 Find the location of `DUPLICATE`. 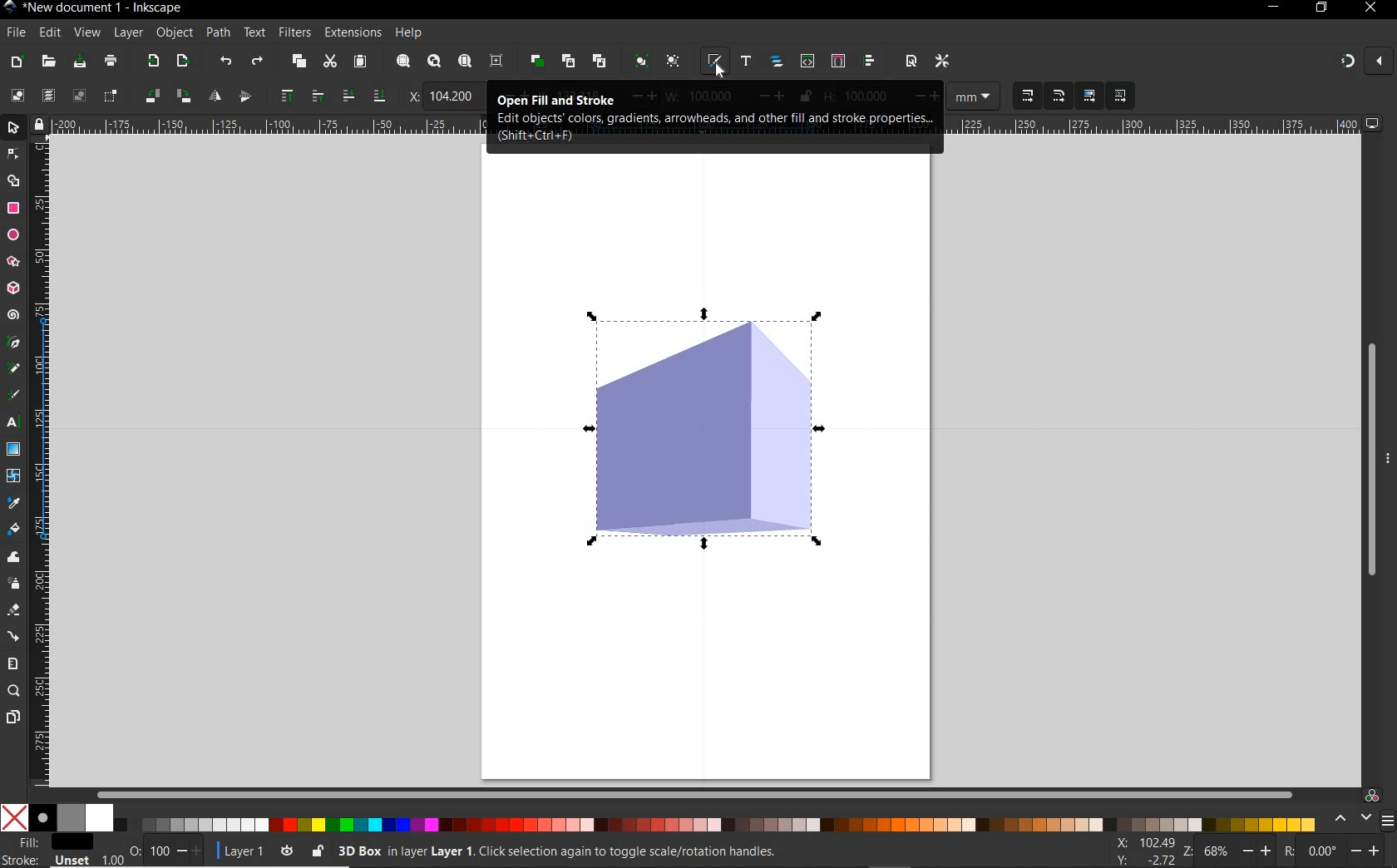

DUPLICATE is located at coordinates (536, 61).